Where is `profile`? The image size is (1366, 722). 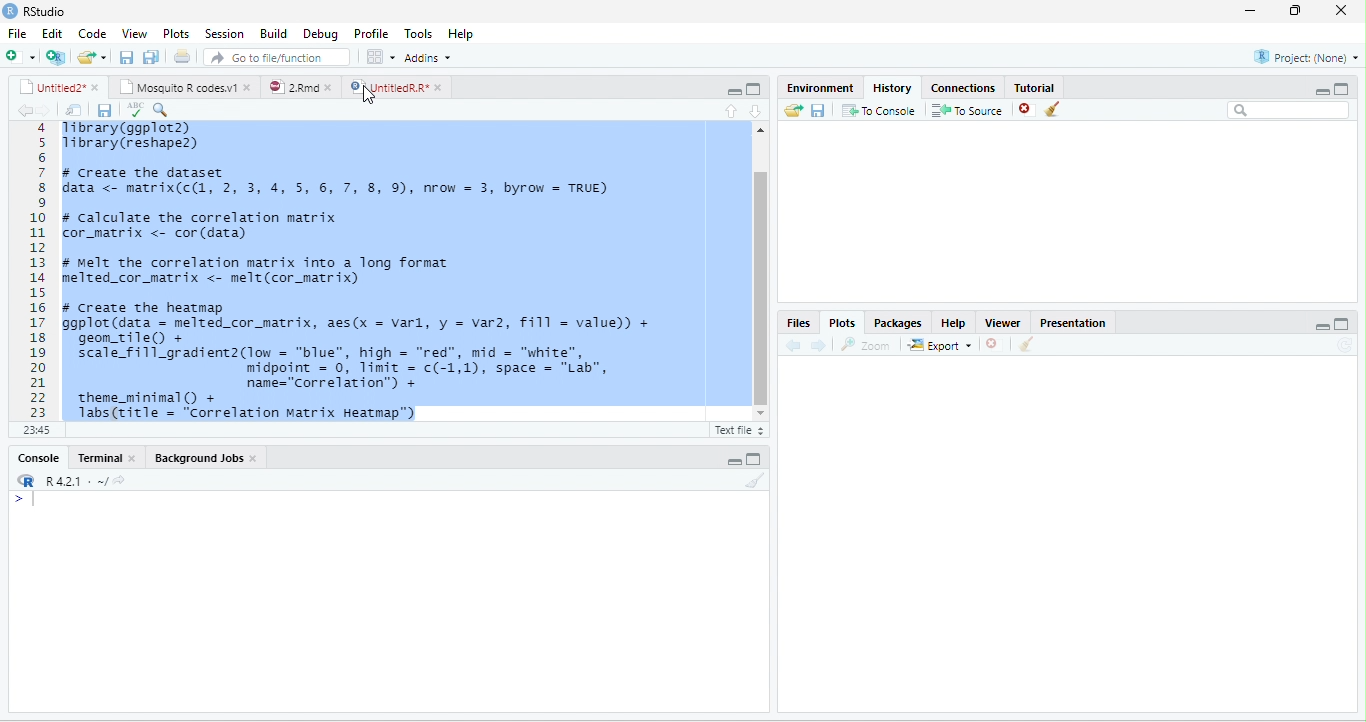 profile is located at coordinates (370, 33).